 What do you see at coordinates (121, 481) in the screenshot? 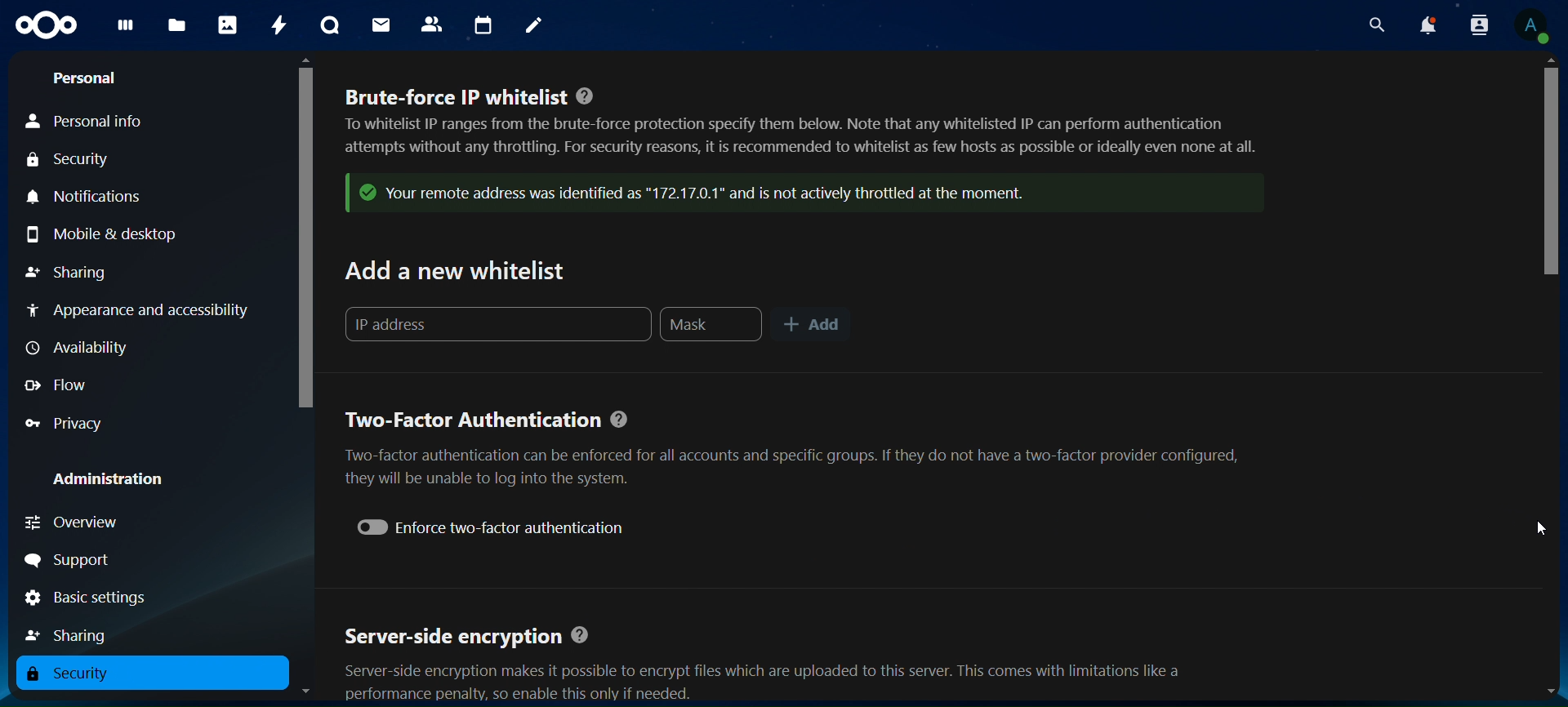
I see `administration` at bounding box center [121, 481].